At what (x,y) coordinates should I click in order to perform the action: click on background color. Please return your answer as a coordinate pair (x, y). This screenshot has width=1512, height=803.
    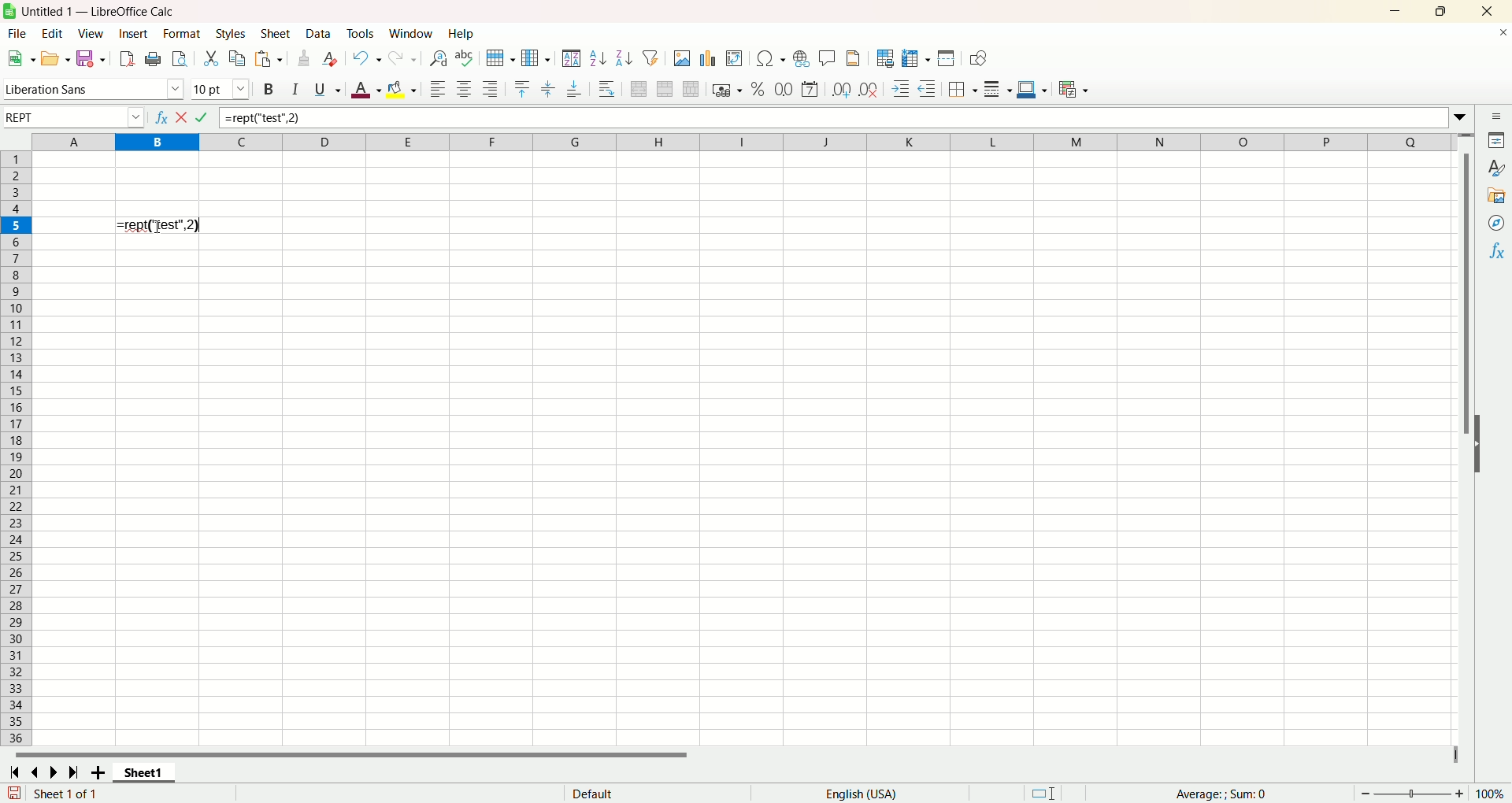
    Looking at the image, I should click on (402, 88).